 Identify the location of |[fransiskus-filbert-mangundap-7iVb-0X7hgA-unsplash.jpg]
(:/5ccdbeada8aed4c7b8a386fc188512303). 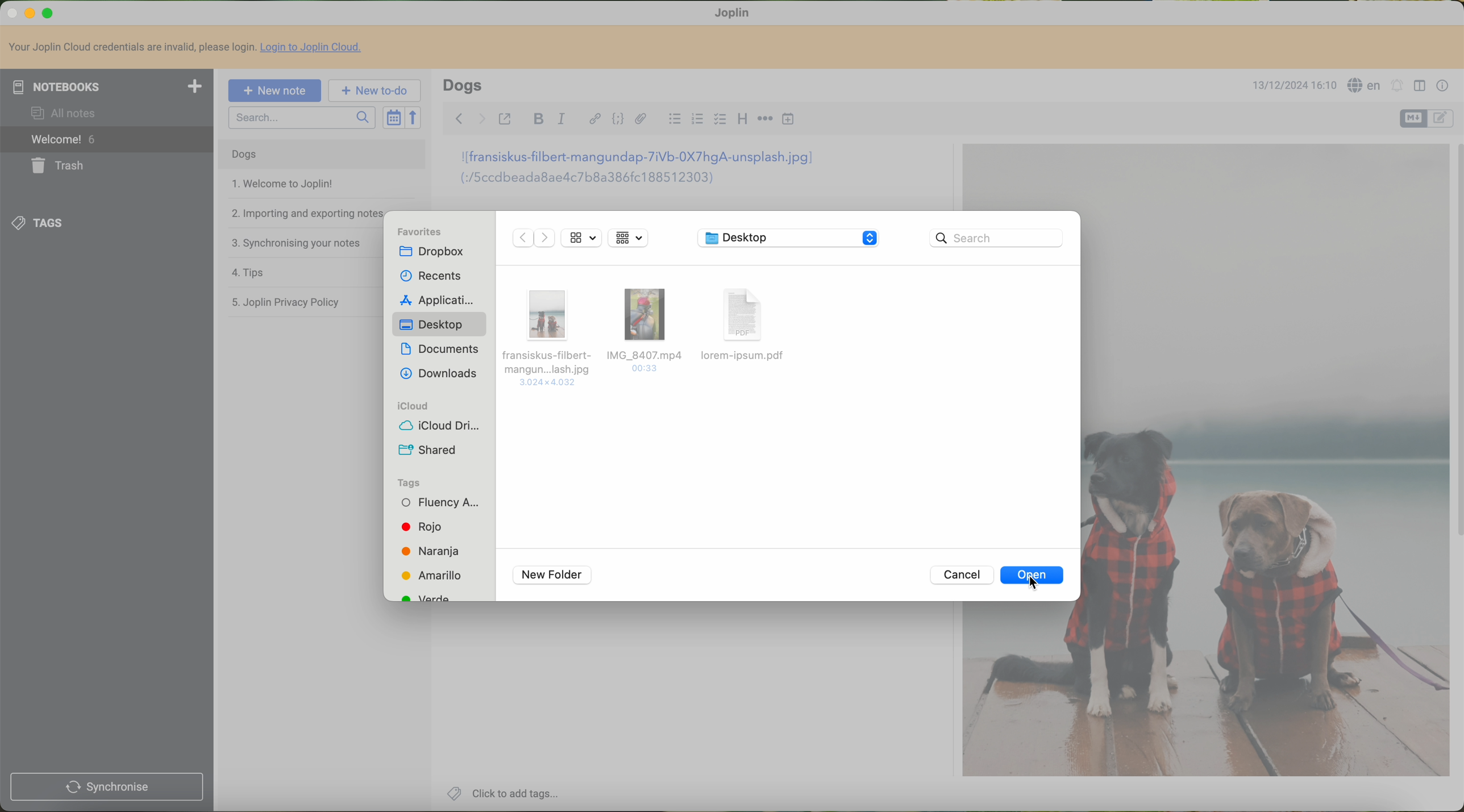
(647, 170).